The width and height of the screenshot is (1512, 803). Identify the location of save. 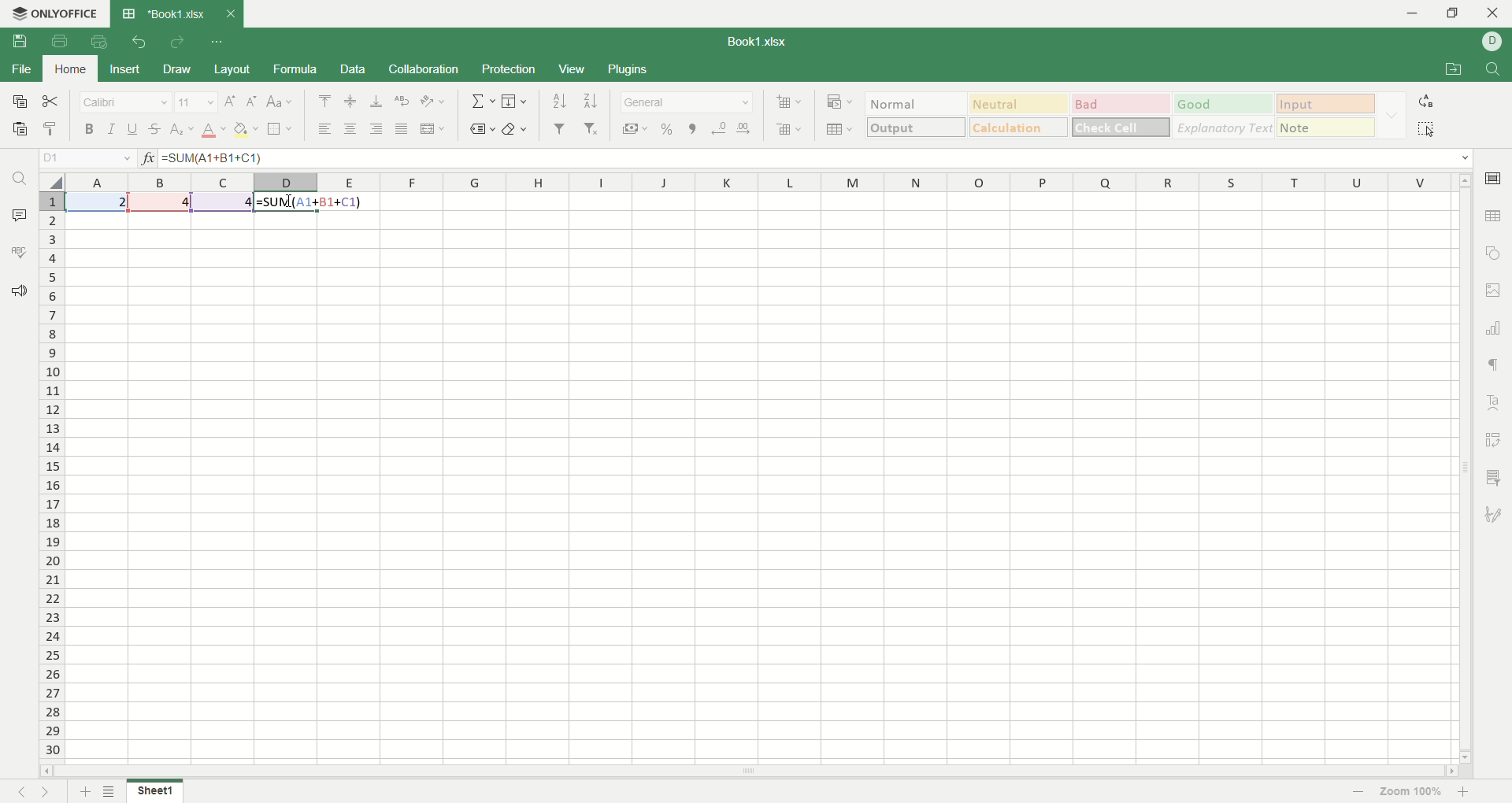
(21, 42).